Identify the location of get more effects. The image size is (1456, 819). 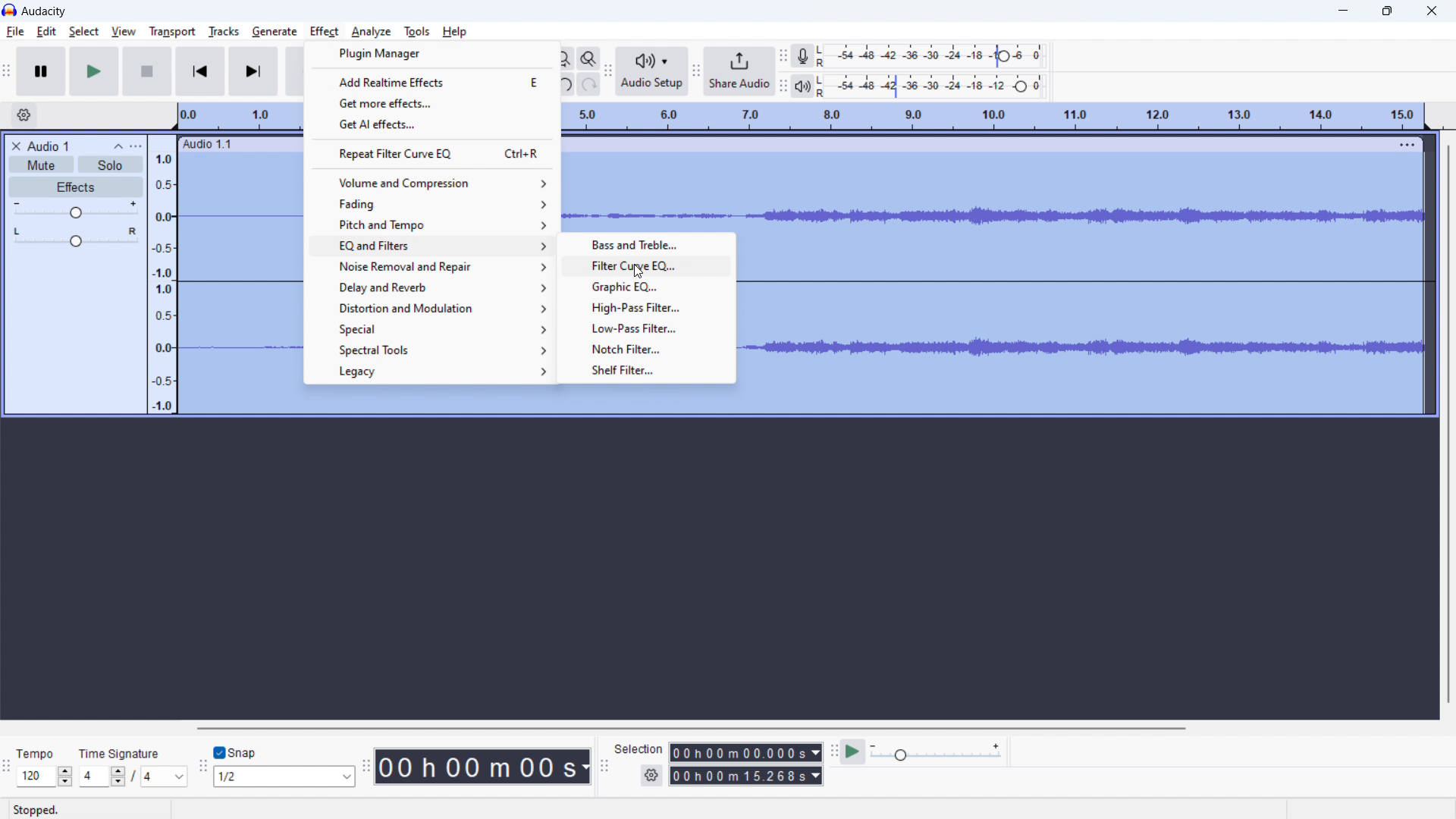
(434, 102).